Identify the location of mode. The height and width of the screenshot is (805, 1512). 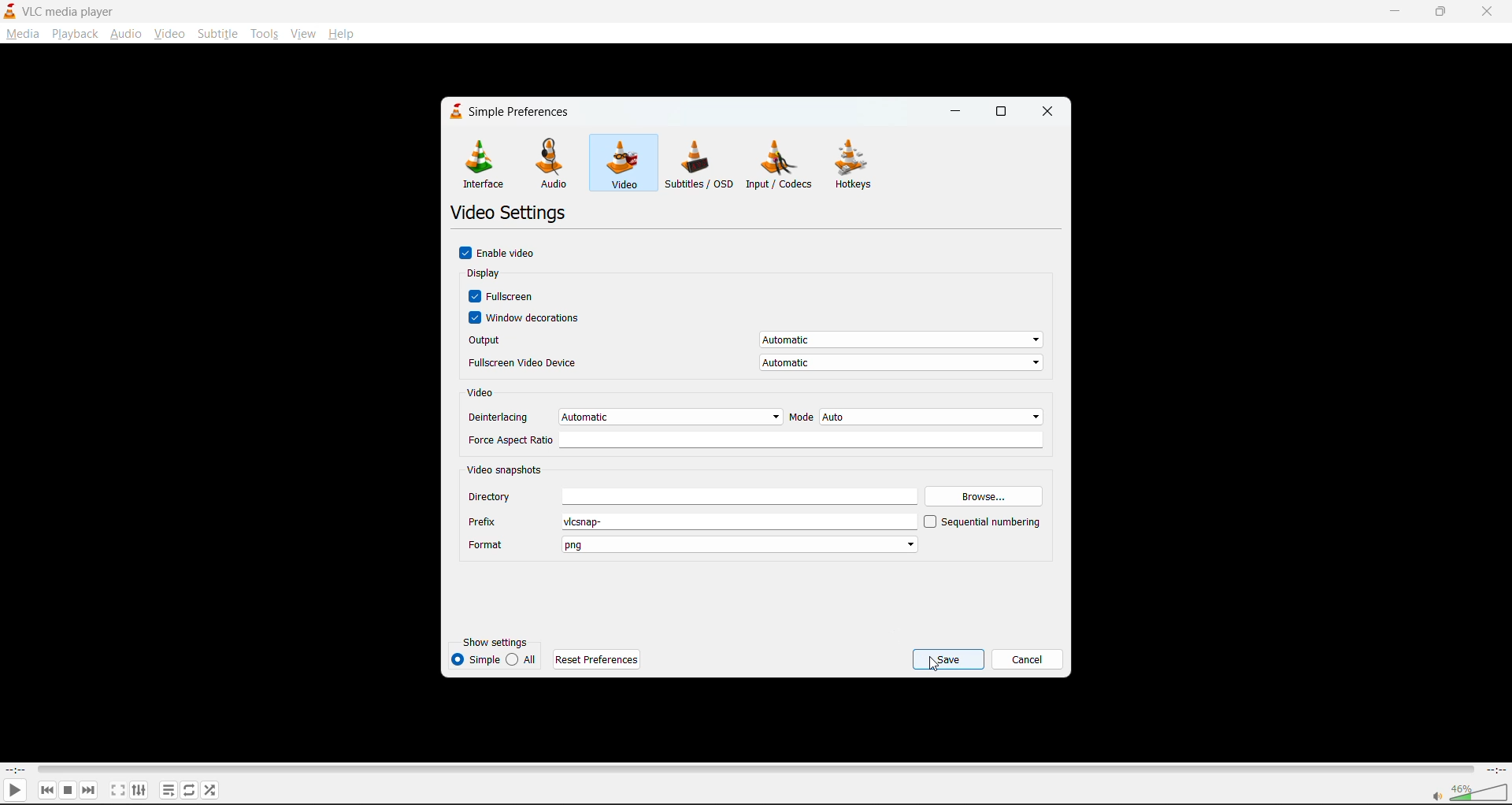
(917, 417).